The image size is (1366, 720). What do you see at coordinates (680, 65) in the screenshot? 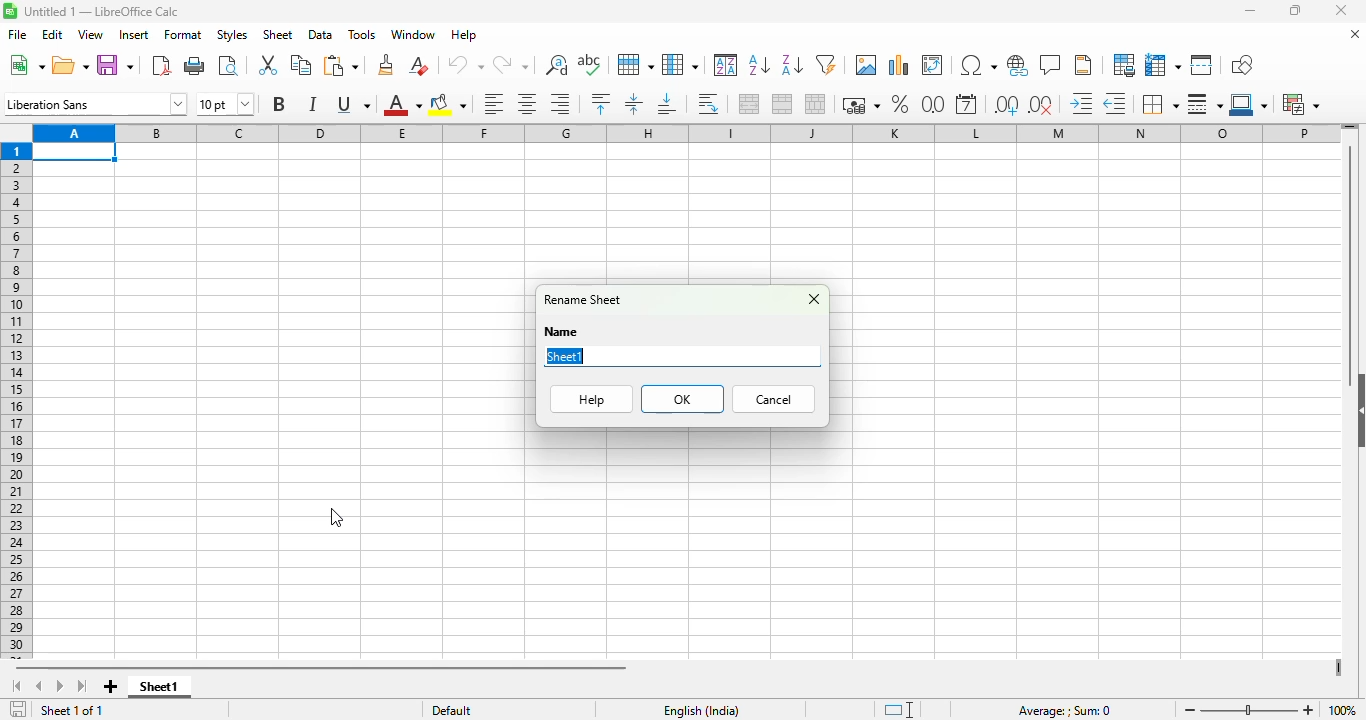
I see `column` at bounding box center [680, 65].